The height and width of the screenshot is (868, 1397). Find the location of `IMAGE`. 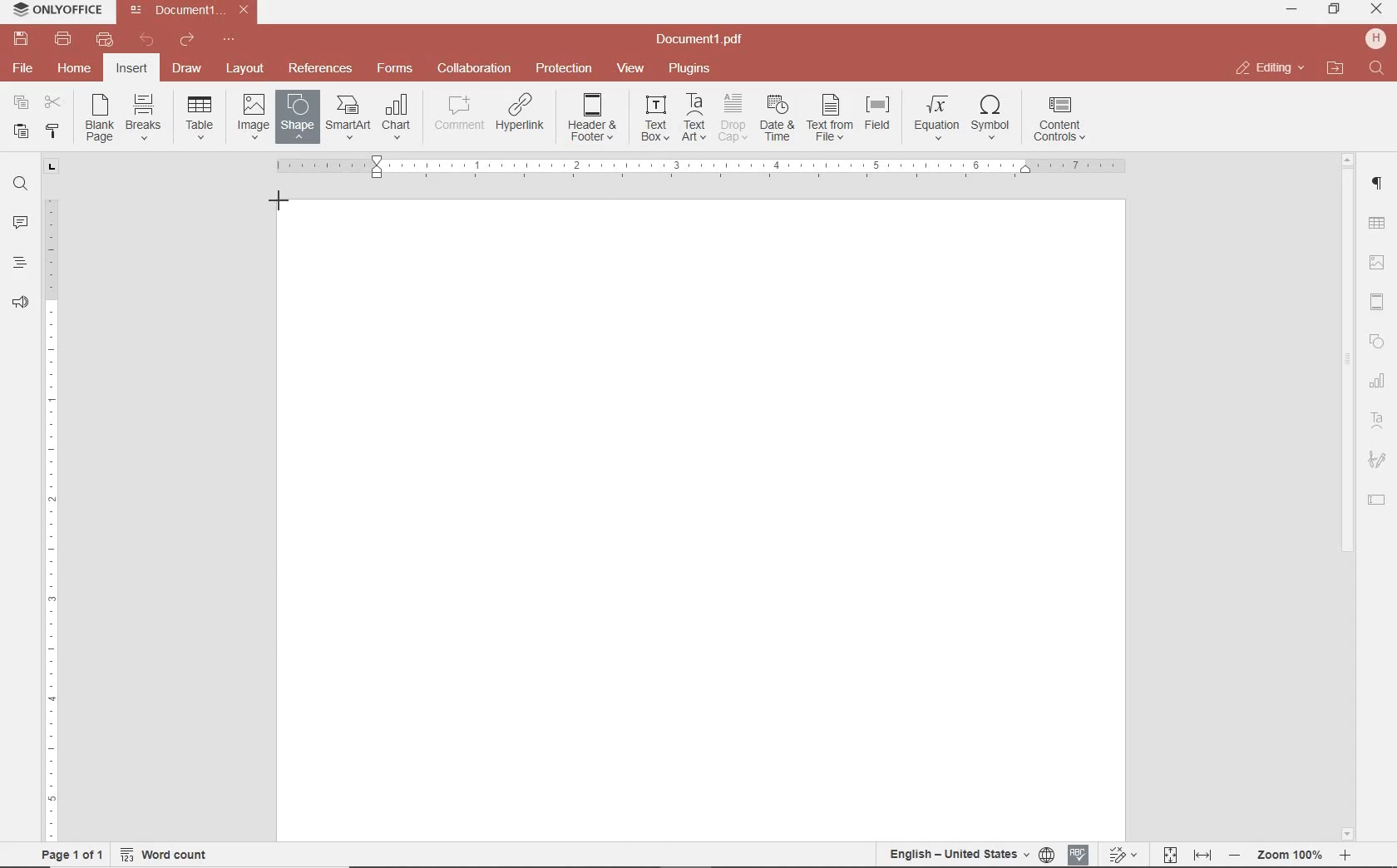

IMAGE is located at coordinates (1378, 264).